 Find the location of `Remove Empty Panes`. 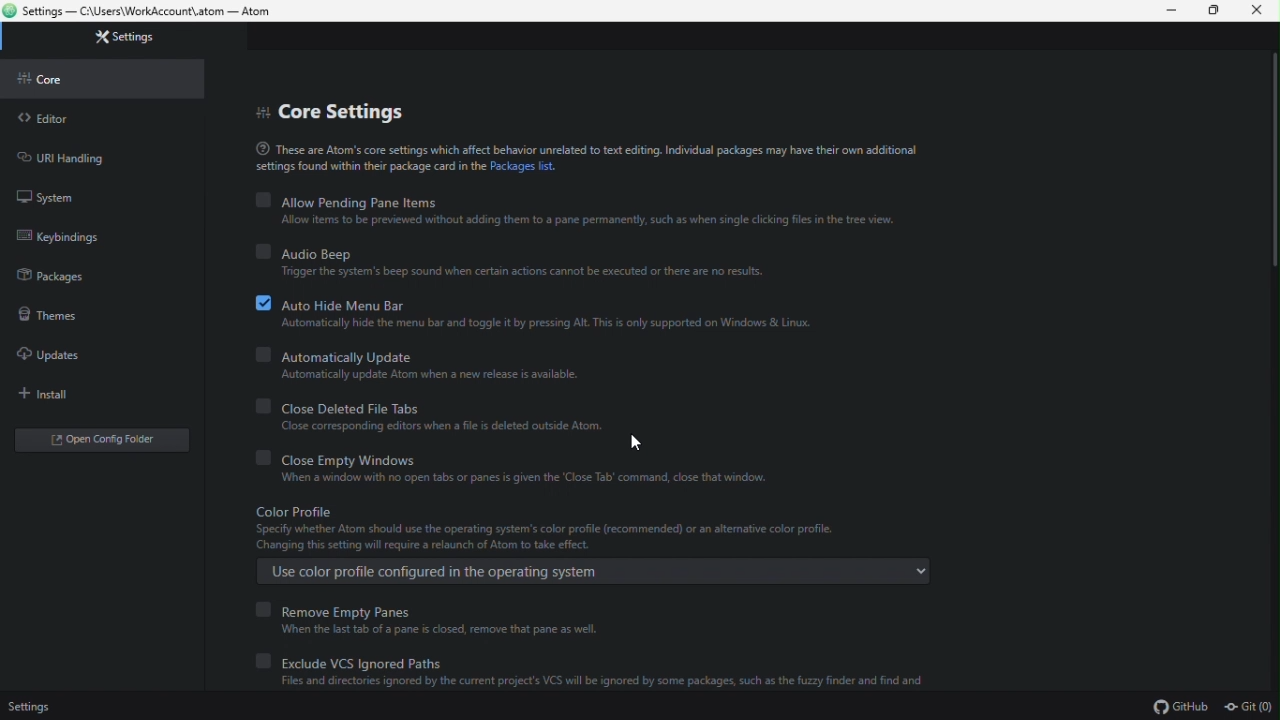

Remove Empty Panes is located at coordinates (340, 608).